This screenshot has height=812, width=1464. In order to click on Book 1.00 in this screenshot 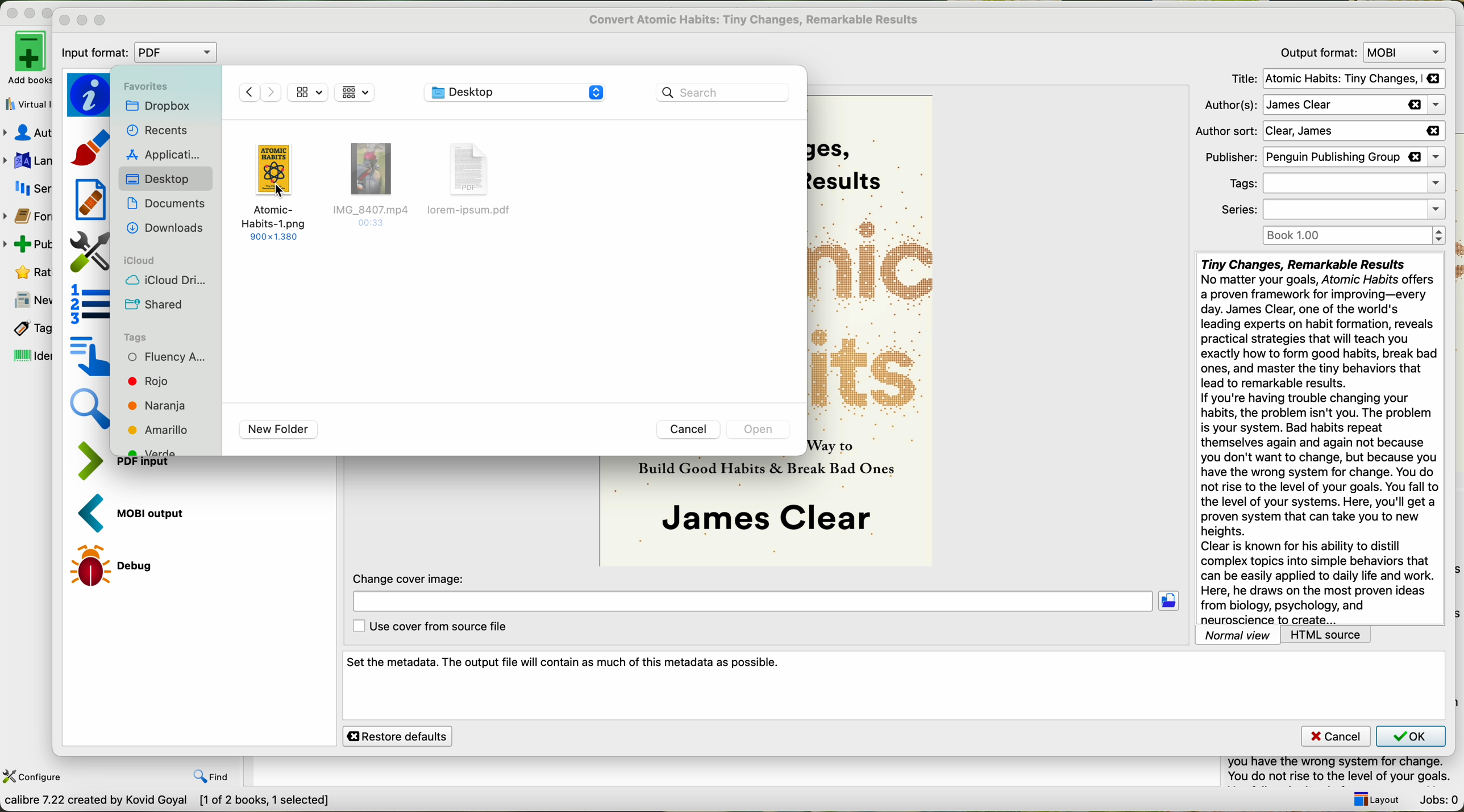, I will do `click(1354, 236)`.